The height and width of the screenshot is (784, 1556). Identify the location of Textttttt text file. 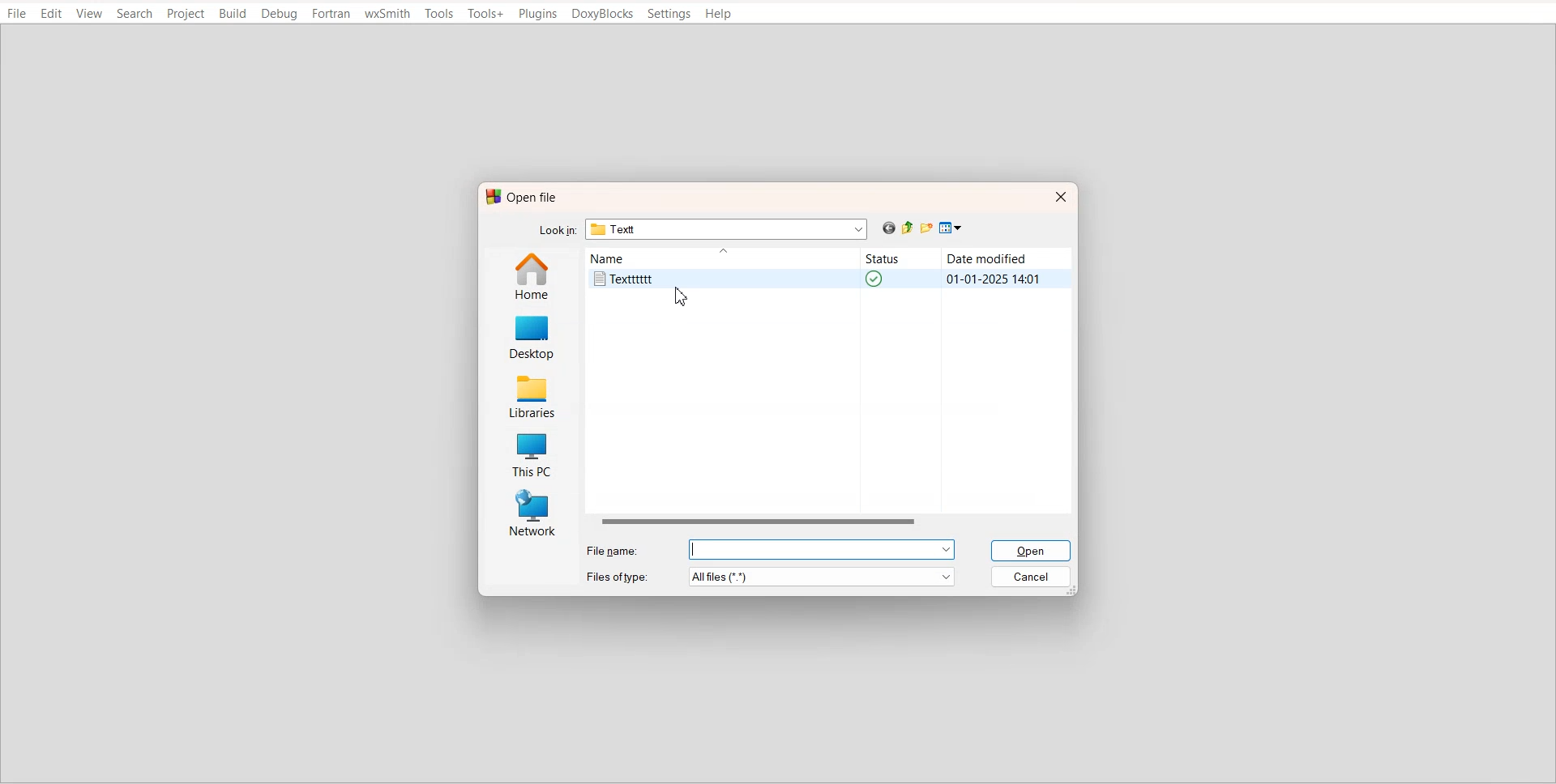
(825, 279).